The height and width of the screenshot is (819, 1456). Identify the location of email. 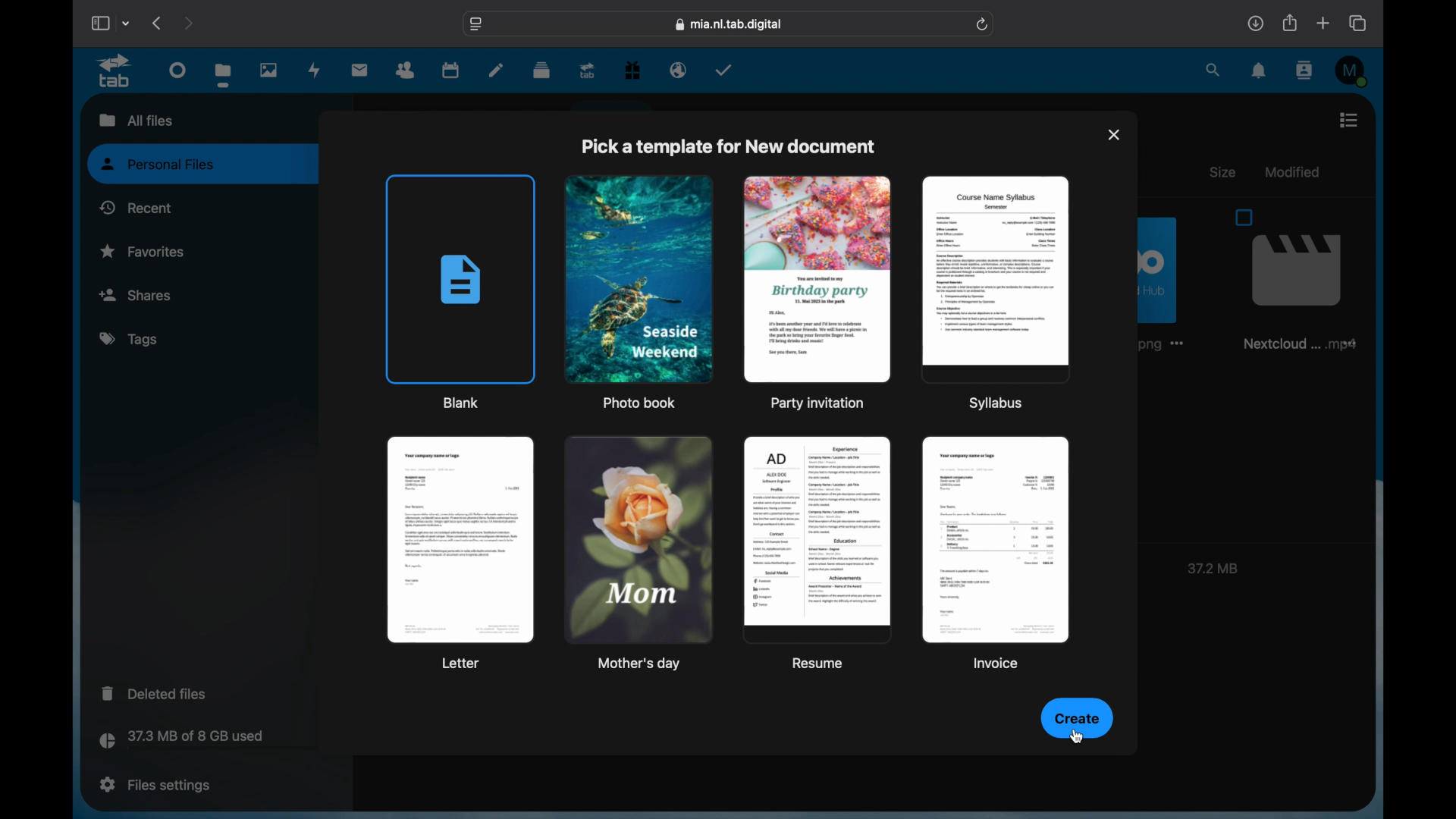
(679, 71).